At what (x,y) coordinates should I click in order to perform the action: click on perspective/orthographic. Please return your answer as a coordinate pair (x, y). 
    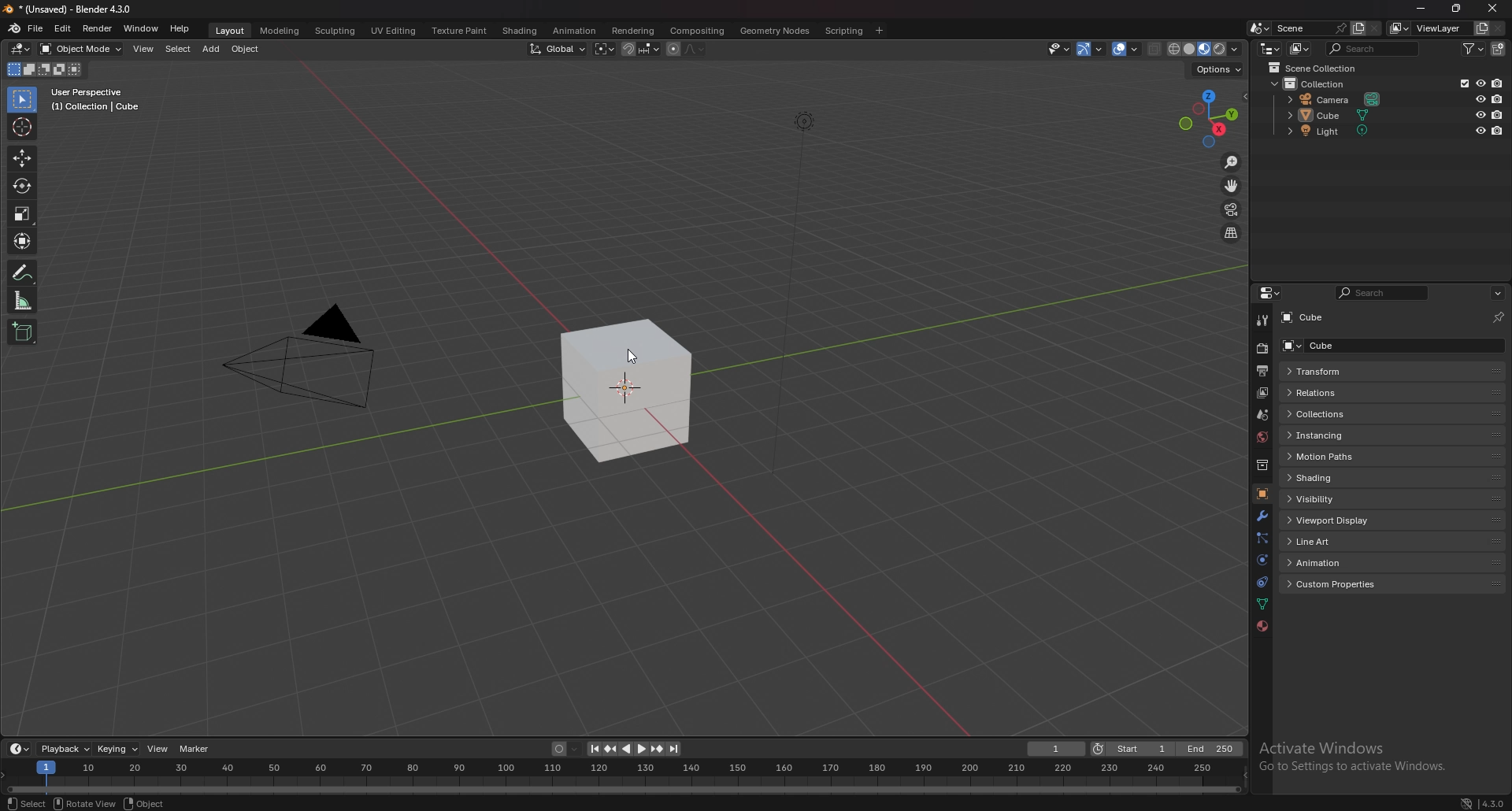
    Looking at the image, I should click on (1231, 232).